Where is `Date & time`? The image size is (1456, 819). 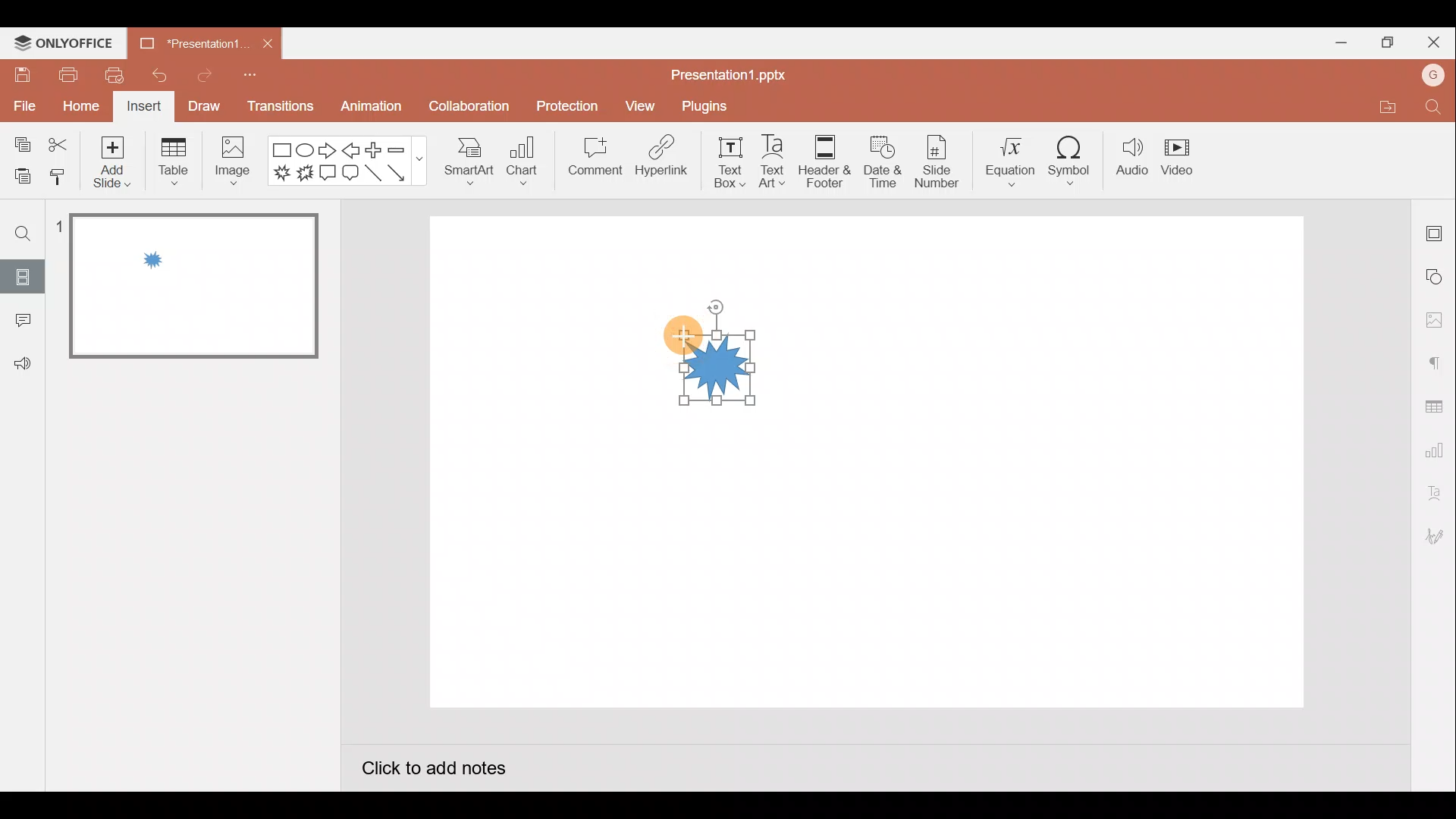
Date & time is located at coordinates (883, 162).